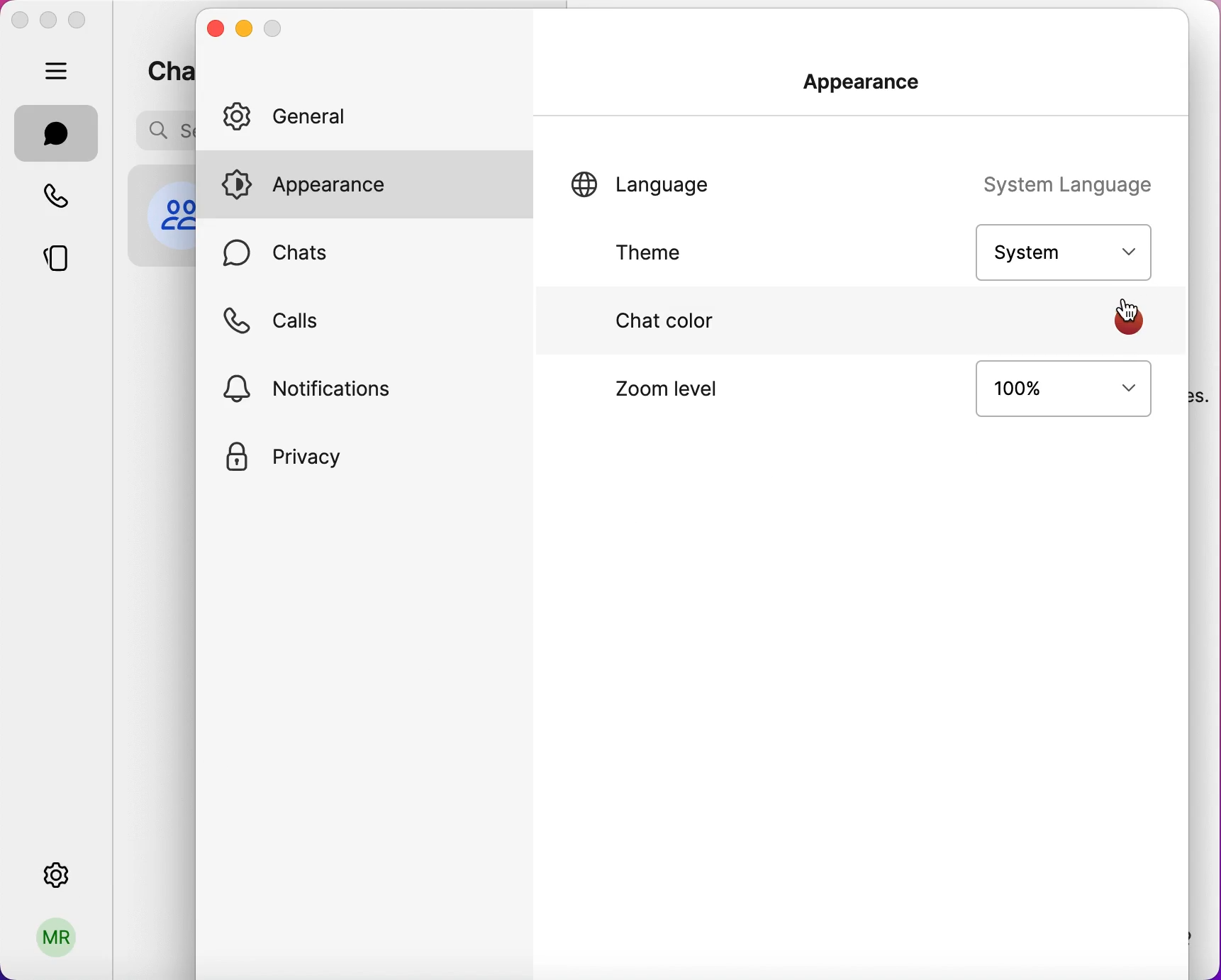 The height and width of the screenshot is (980, 1221). What do you see at coordinates (299, 461) in the screenshot?
I see `privacy` at bounding box center [299, 461].